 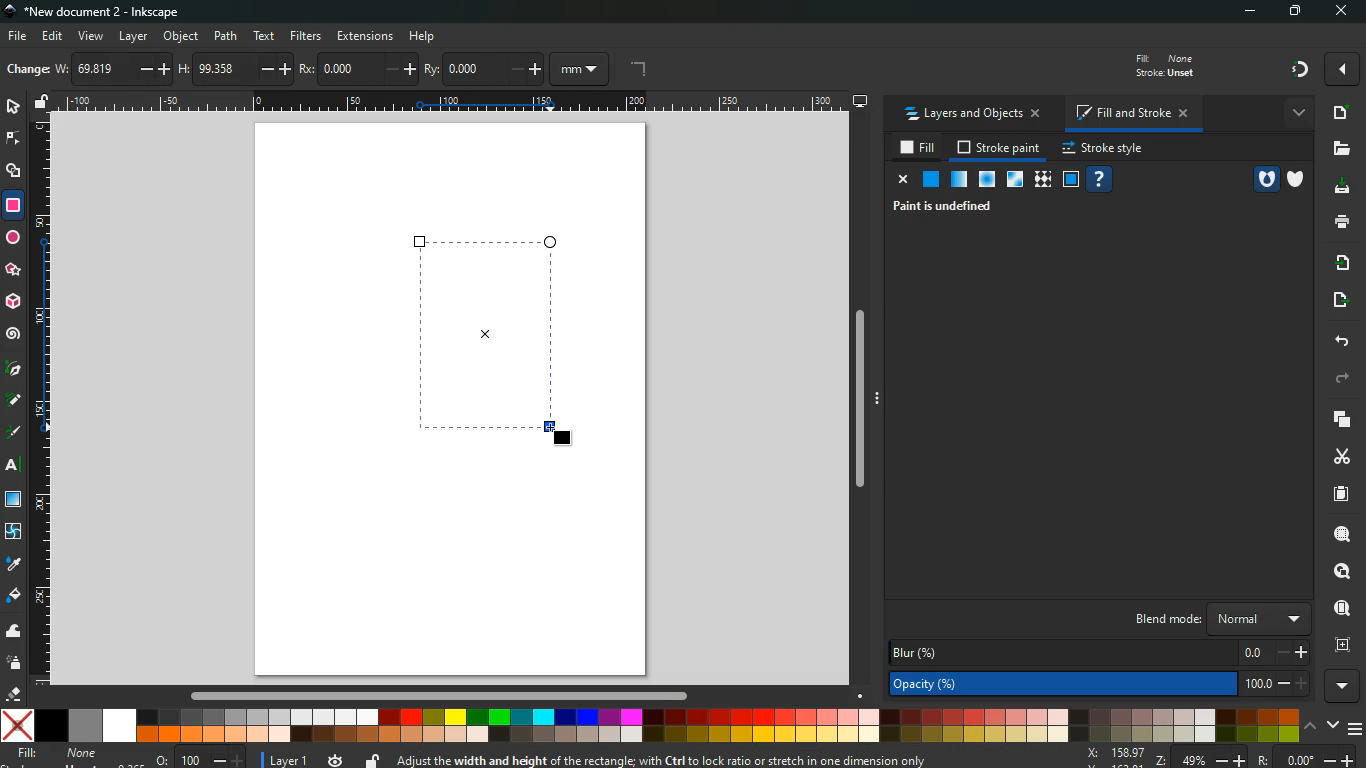 What do you see at coordinates (651, 725) in the screenshot?
I see `color` at bounding box center [651, 725].